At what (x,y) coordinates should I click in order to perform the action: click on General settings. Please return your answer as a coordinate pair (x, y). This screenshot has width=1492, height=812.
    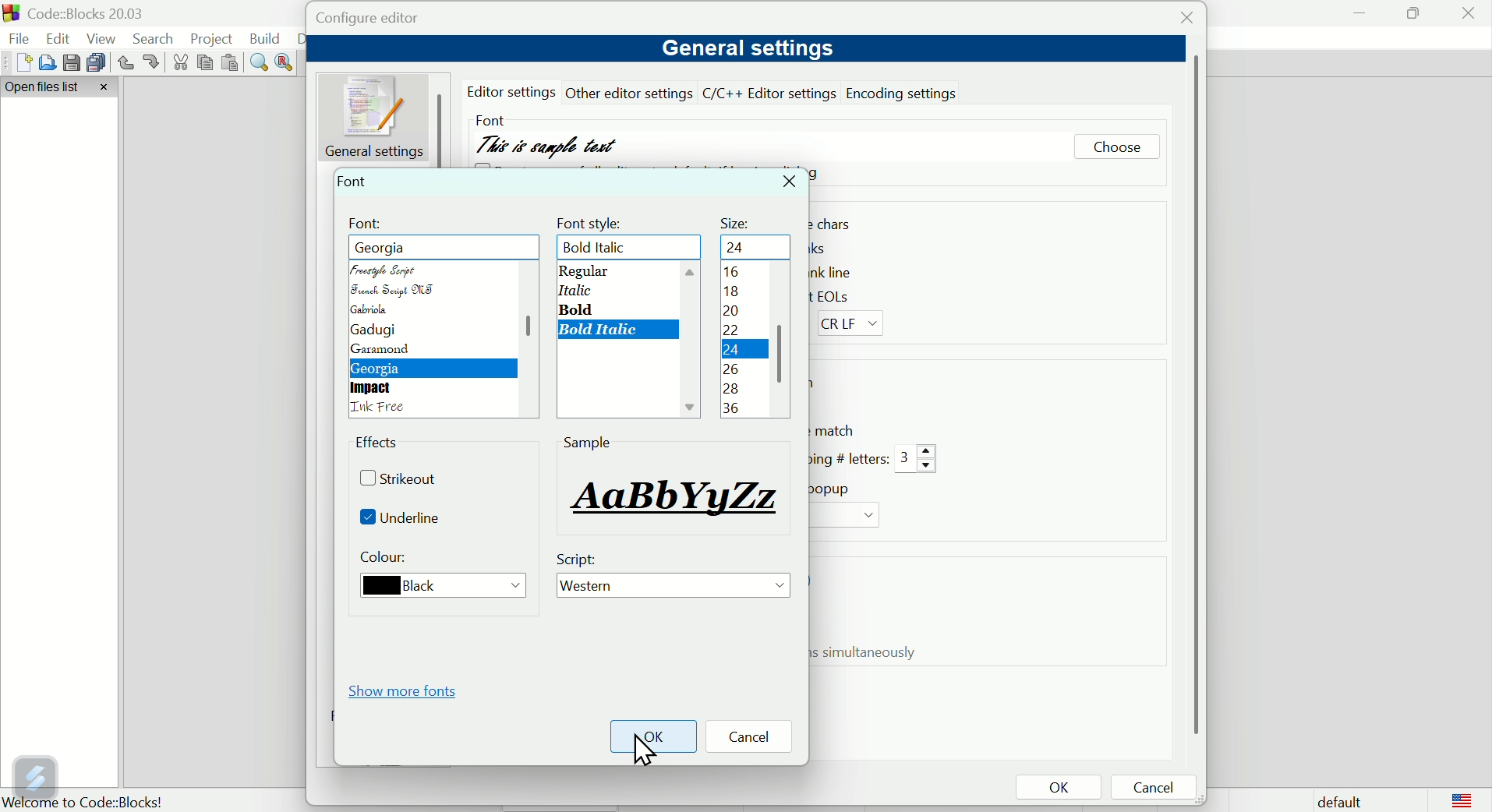
    Looking at the image, I should click on (744, 49).